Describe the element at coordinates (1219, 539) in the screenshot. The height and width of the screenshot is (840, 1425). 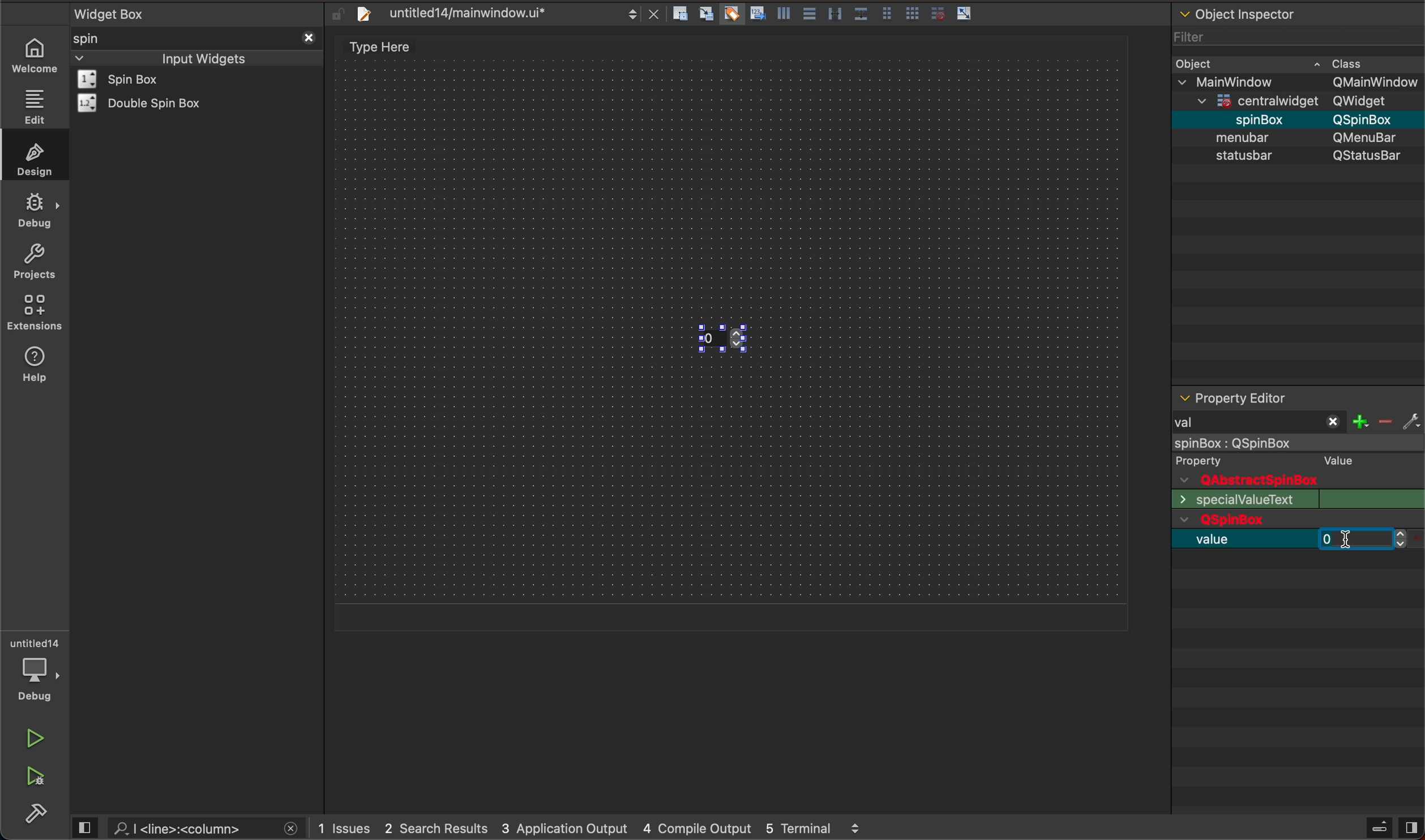
I see `value` at that location.